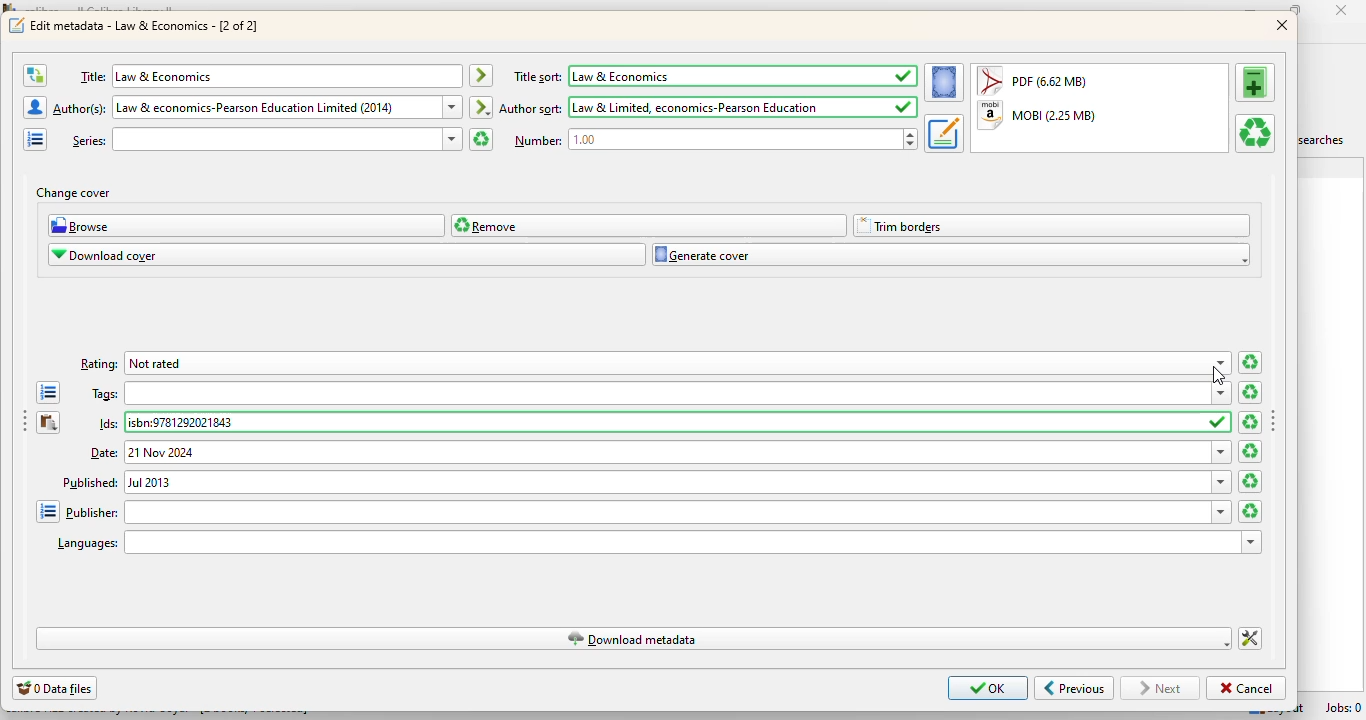 Image resolution: width=1366 pixels, height=720 pixels. Describe the element at coordinates (1256, 81) in the screenshot. I see `add a format to this book` at that location.